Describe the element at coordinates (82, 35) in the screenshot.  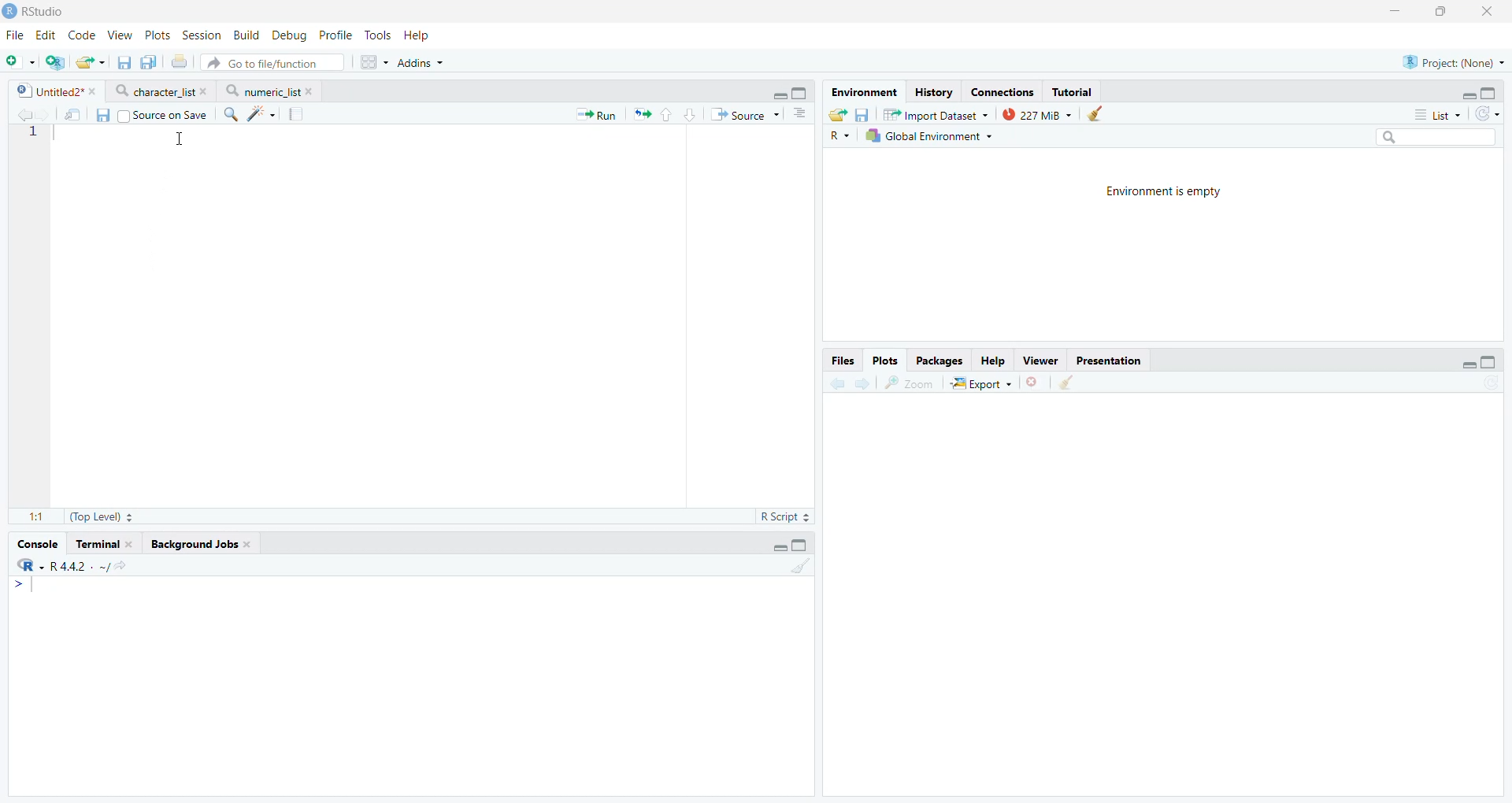
I see `Code` at that location.